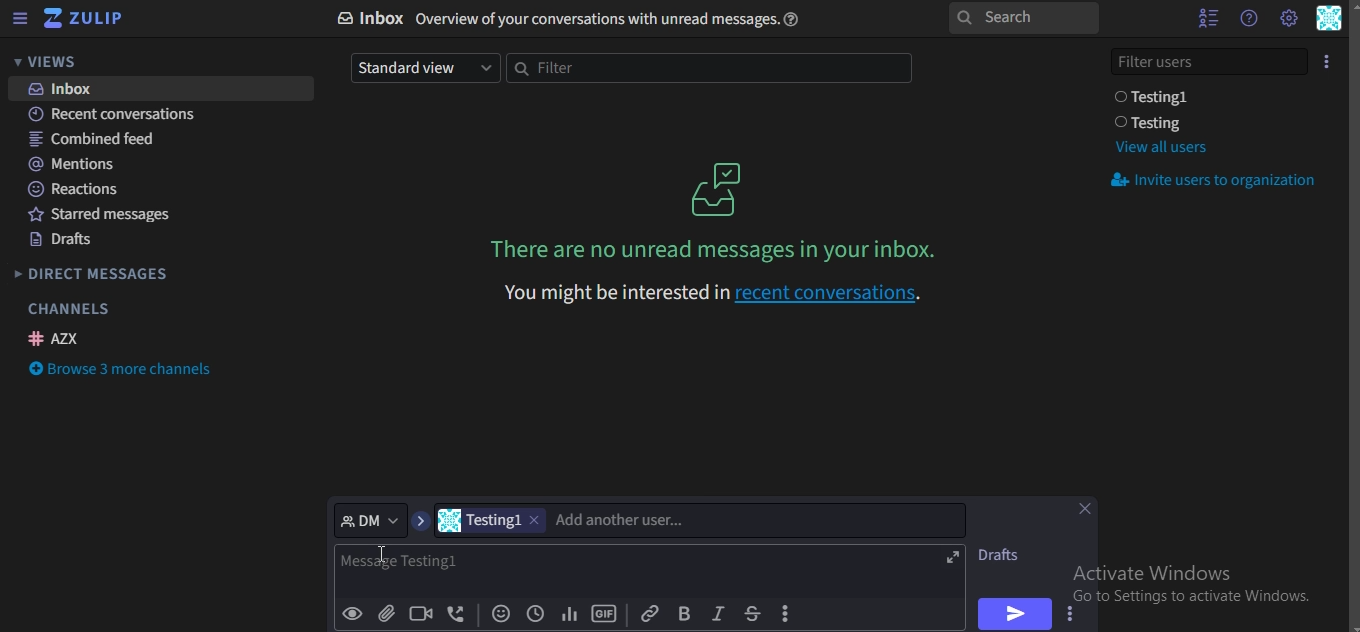  Describe the element at coordinates (124, 371) in the screenshot. I see `browse 3 more channels` at that location.